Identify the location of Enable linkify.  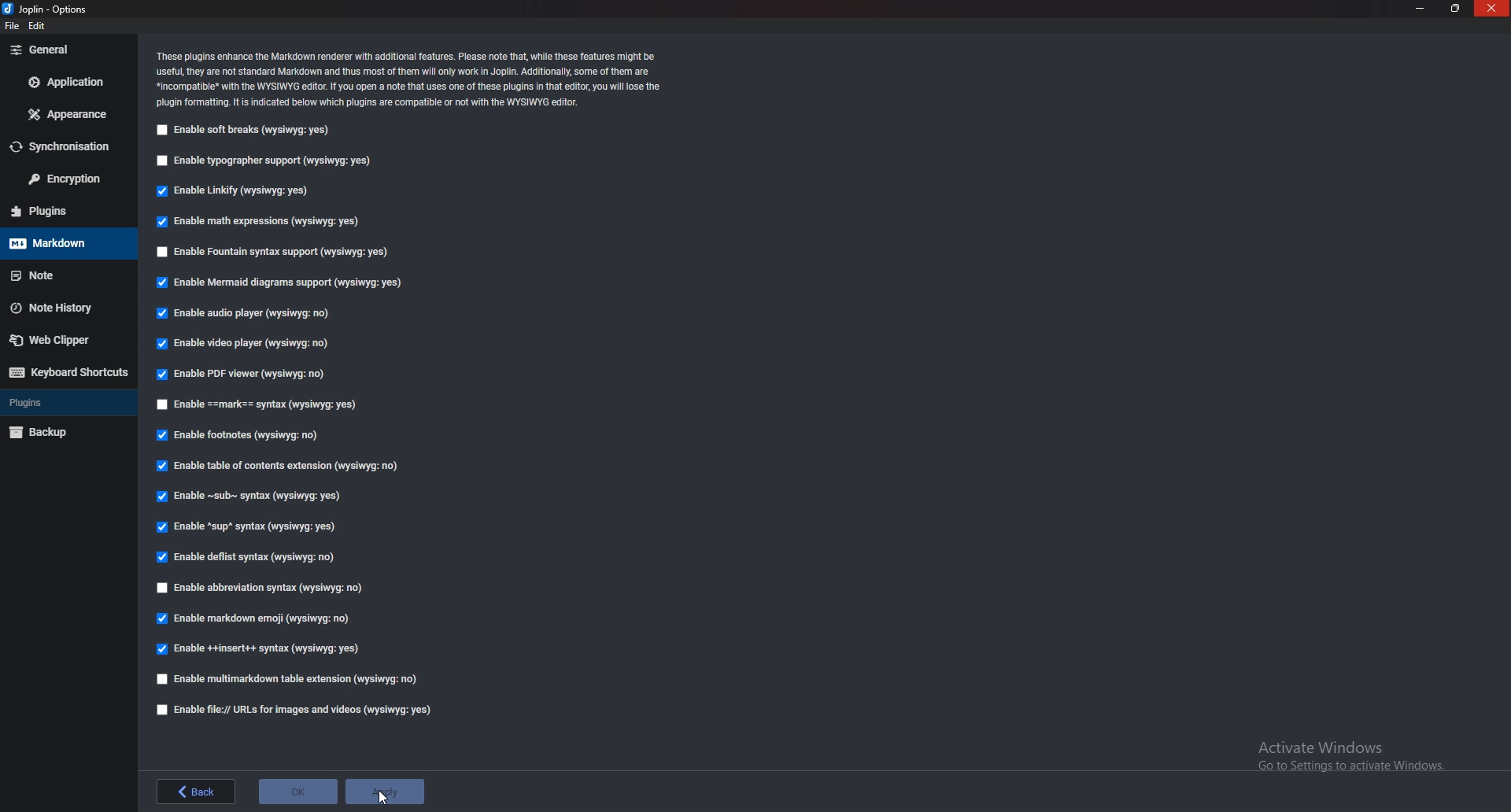
(240, 190).